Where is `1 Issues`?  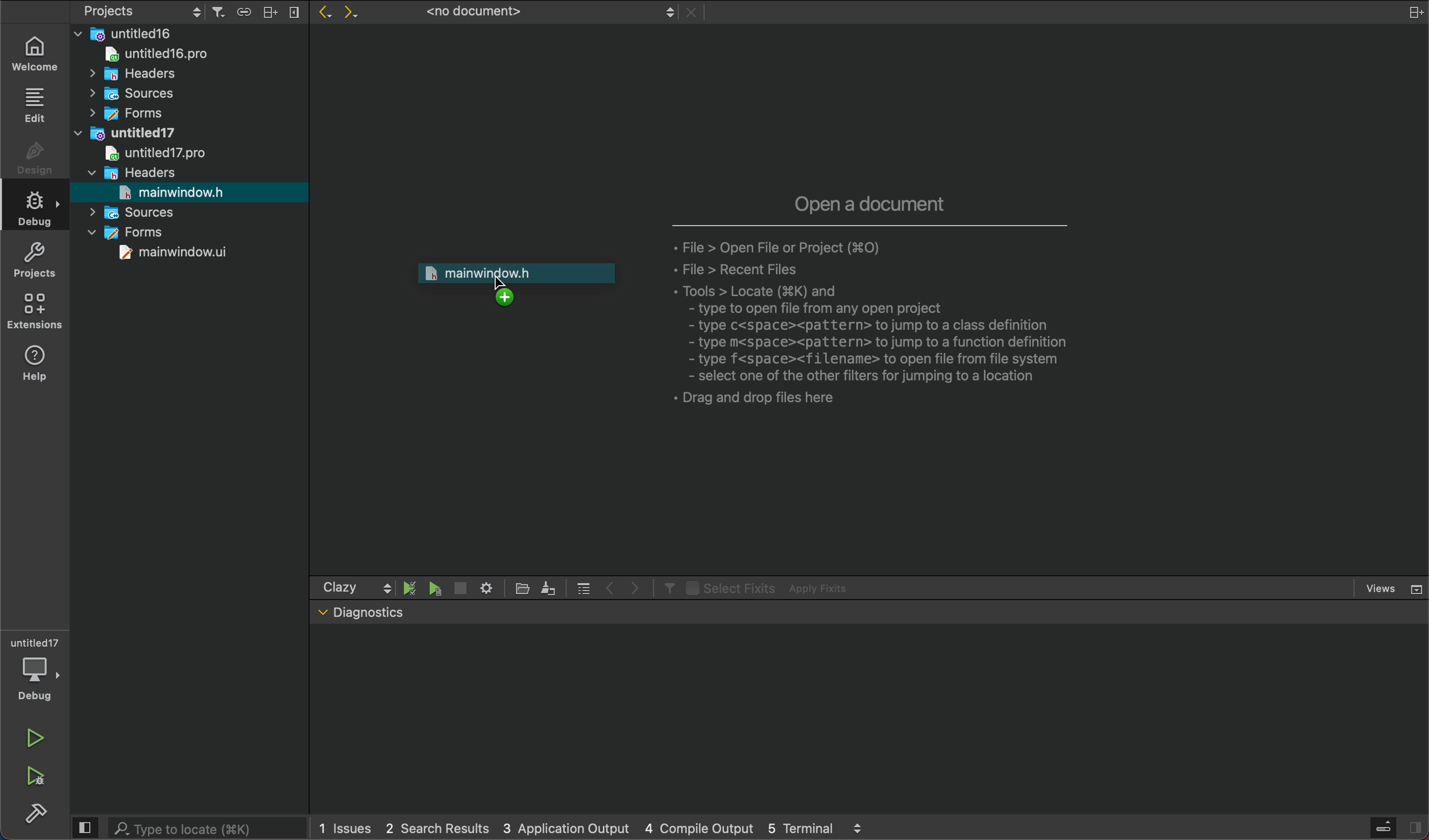
1 Issues is located at coordinates (342, 828).